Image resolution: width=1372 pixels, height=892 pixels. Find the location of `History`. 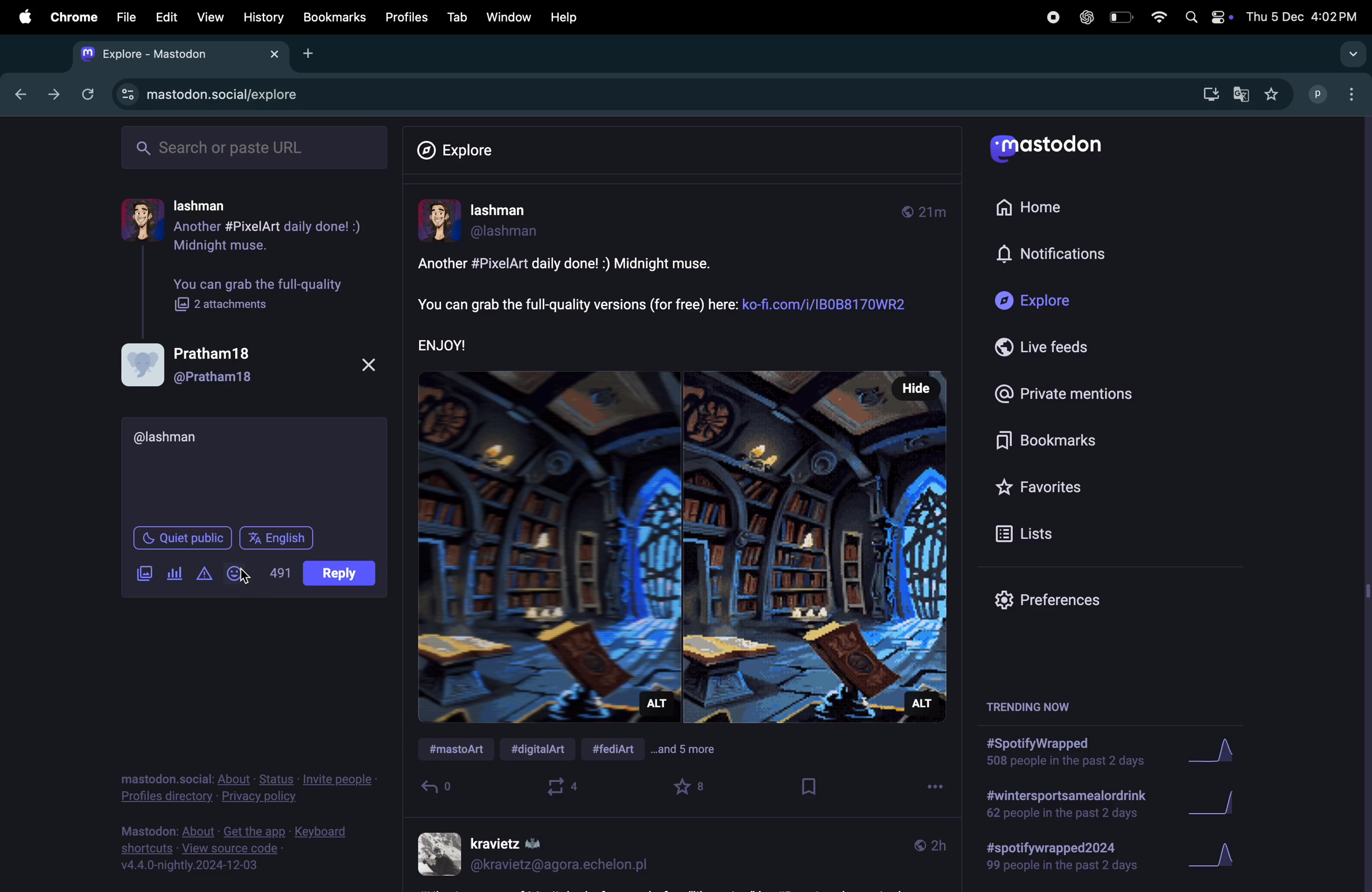

History is located at coordinates (262, 18).